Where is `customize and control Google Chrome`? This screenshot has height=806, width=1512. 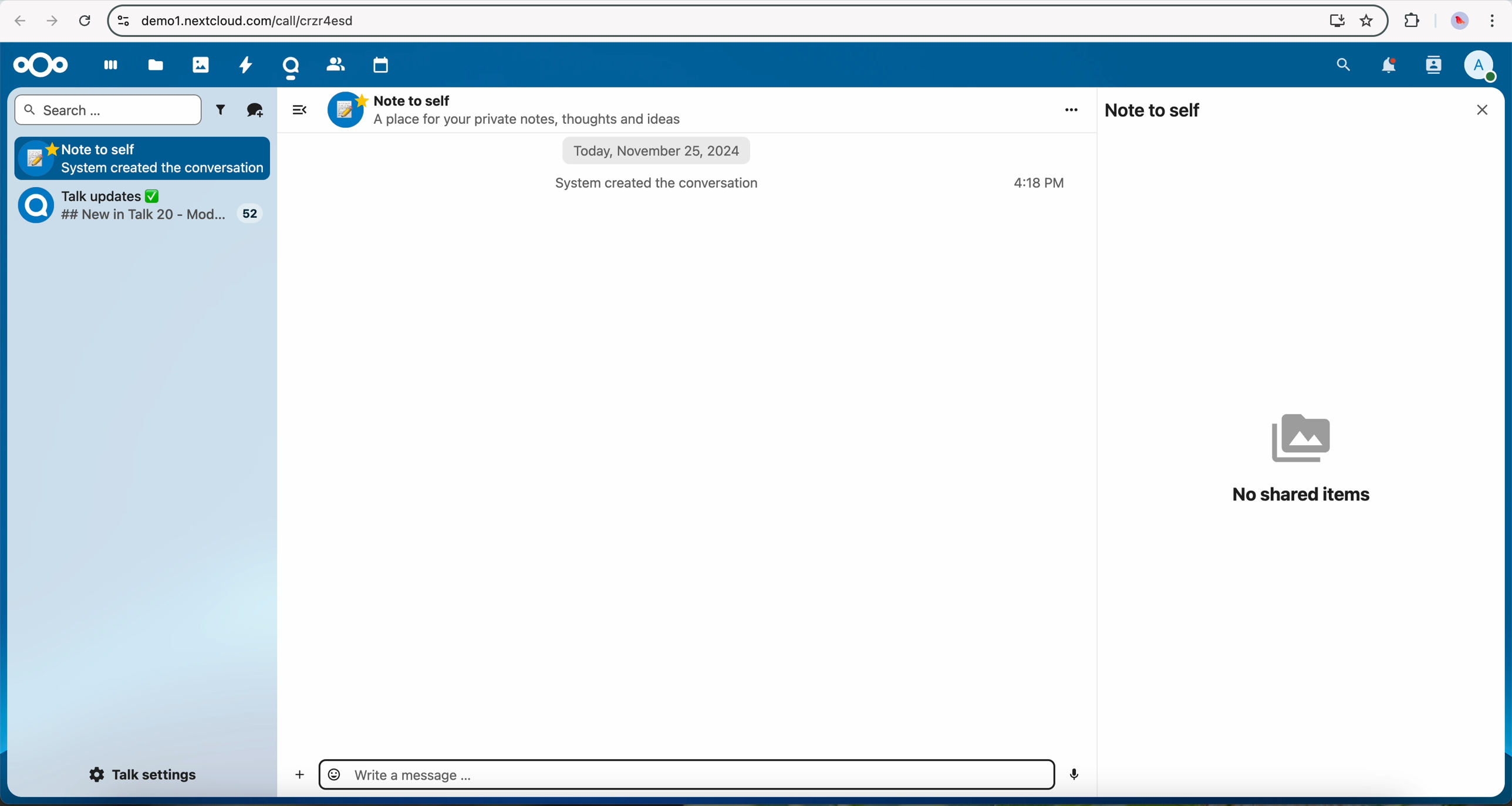 customize and control Google Chrome is located at coordinates (1493, 21).